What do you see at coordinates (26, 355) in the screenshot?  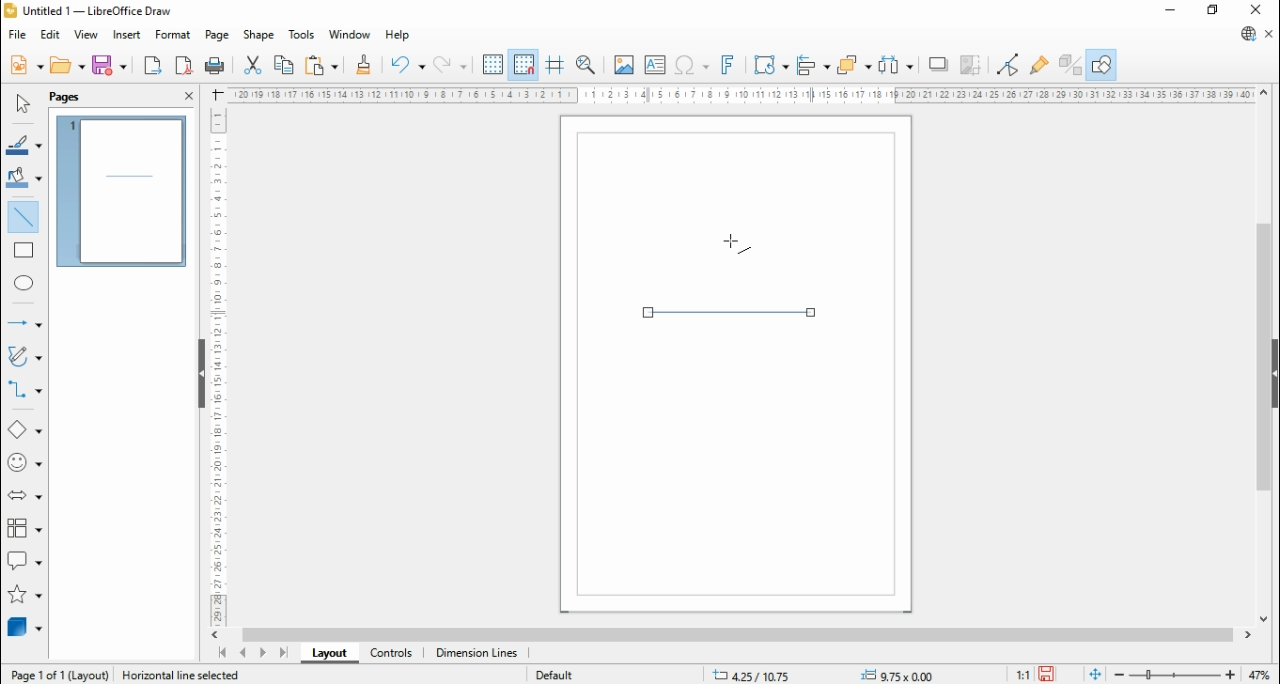 I see `curves and polygons` at bounding box center [26, 355].